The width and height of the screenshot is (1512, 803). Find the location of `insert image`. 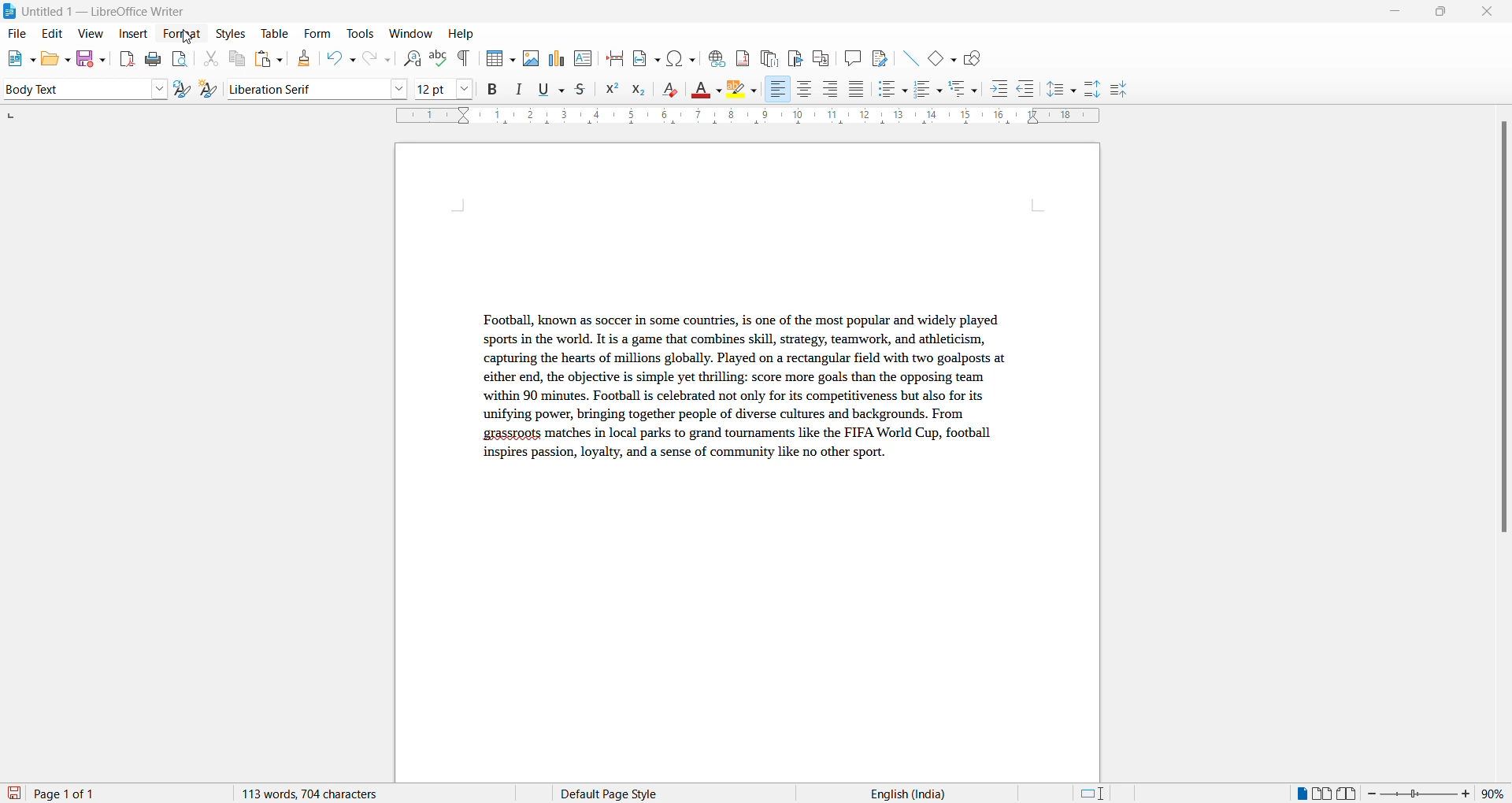

insert image is located at coordinates (497, 60).